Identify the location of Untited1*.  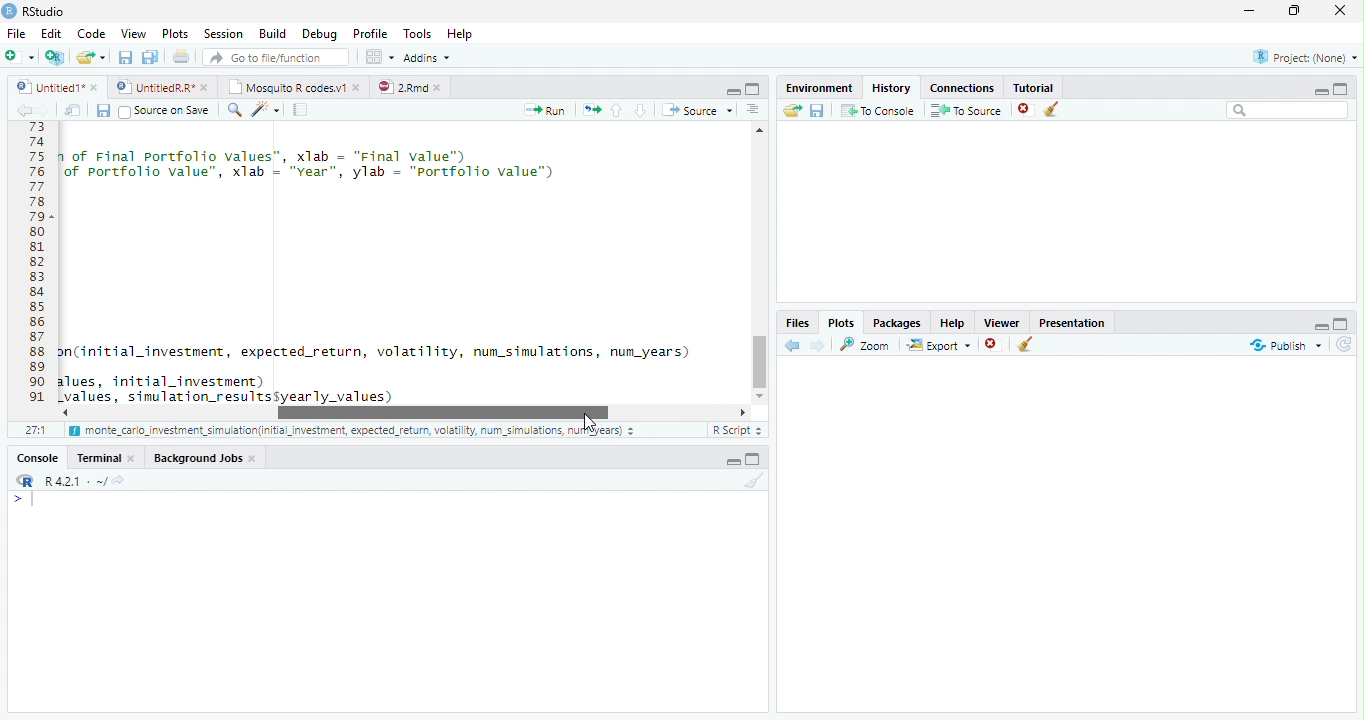
(55, 86).